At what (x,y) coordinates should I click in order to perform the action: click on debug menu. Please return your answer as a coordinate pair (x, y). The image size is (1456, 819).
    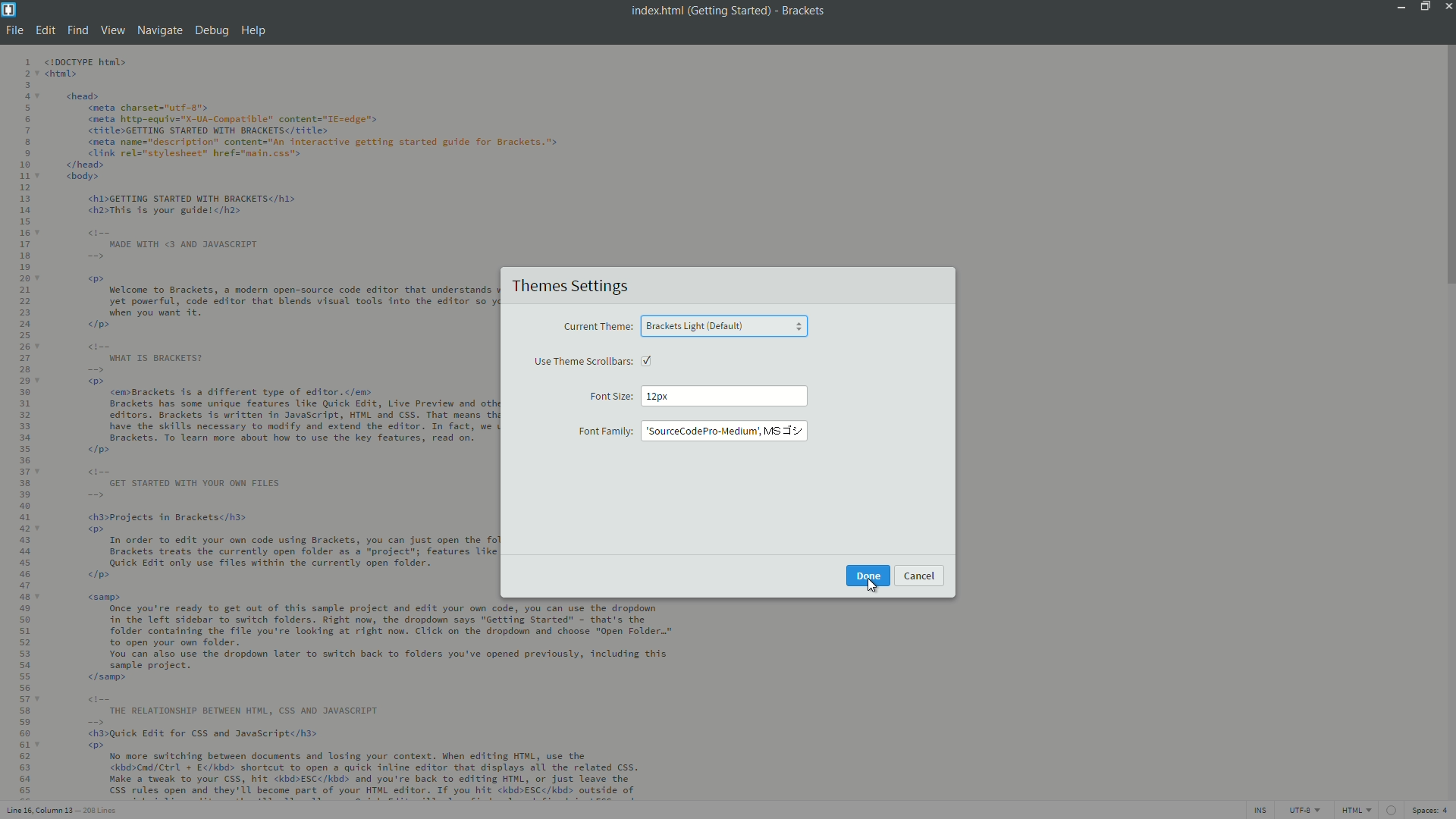
    Looking at the image, I should click on (210, 32).